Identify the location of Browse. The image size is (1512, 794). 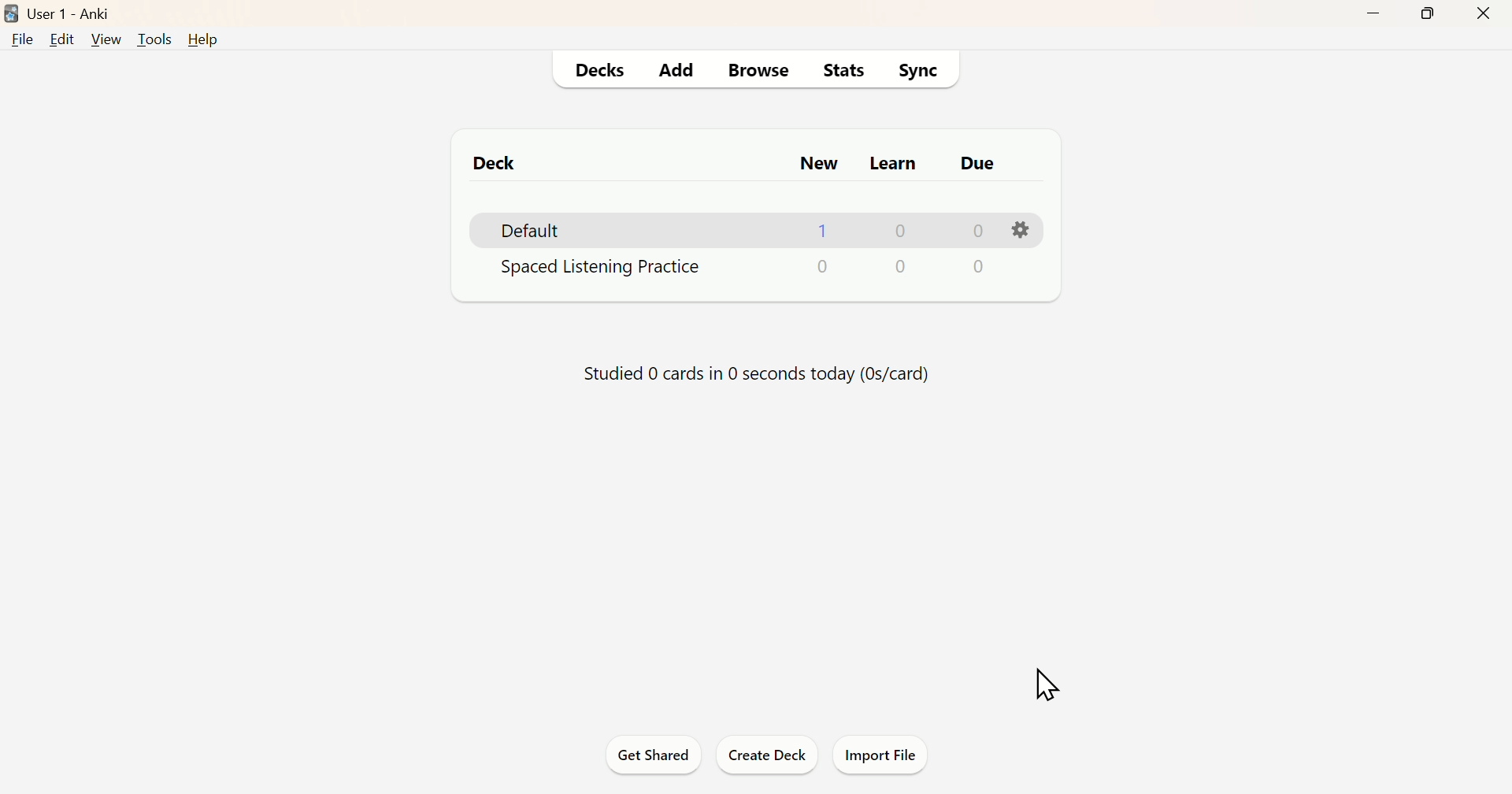
(760, 71).